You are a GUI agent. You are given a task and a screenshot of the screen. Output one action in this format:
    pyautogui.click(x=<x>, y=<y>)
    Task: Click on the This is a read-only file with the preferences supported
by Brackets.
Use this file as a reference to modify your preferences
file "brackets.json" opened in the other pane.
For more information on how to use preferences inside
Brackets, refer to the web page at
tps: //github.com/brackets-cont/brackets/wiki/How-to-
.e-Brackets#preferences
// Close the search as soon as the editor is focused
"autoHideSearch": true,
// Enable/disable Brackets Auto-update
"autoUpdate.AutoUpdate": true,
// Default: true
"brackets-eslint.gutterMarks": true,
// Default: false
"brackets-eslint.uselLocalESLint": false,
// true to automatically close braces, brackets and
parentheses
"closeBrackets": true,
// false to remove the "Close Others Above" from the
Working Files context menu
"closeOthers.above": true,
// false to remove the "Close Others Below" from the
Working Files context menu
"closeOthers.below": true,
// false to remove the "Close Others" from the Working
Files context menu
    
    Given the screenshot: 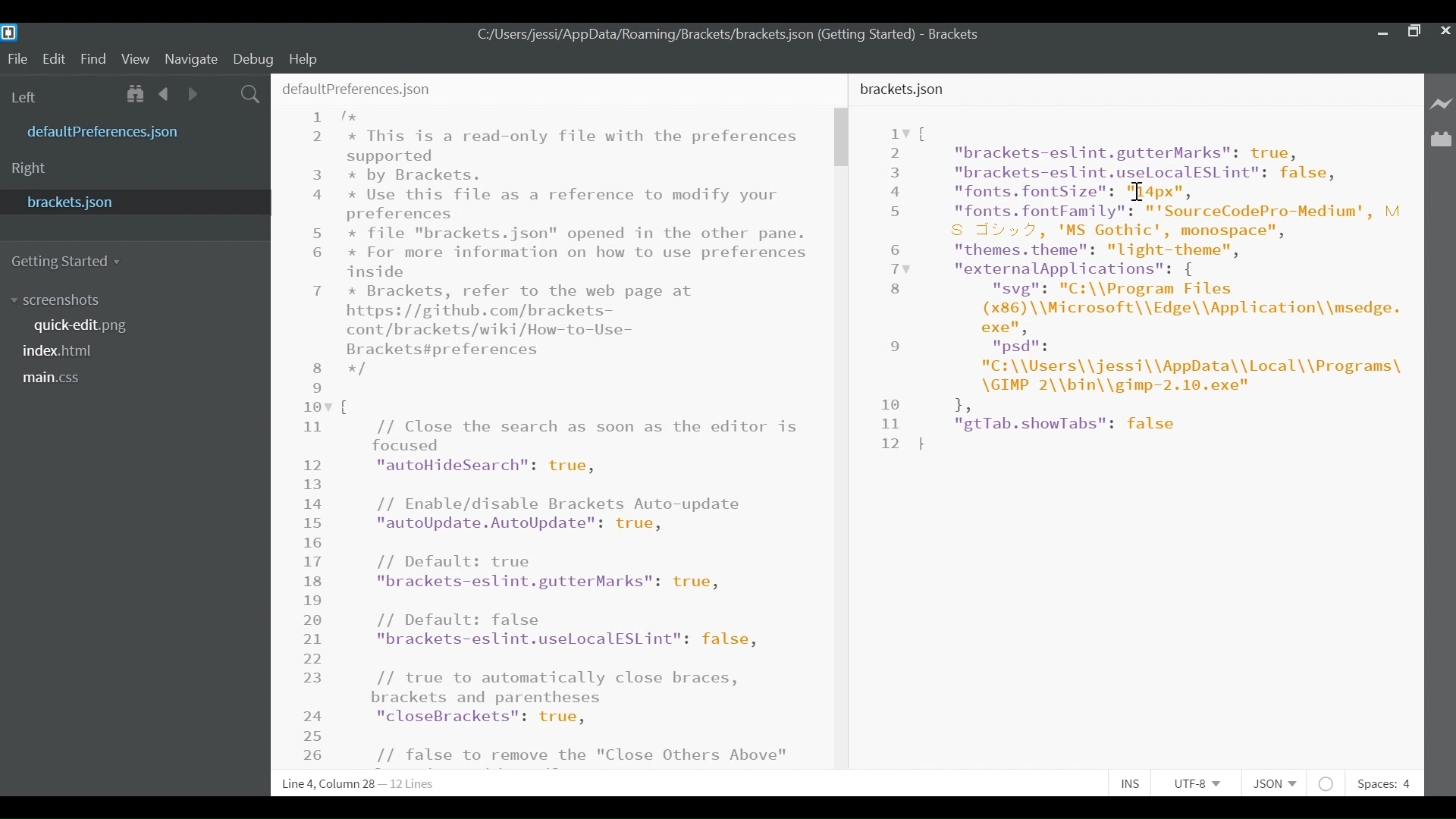 What is the action you would take?
    pyautogui.click(x=580, y=440)
    